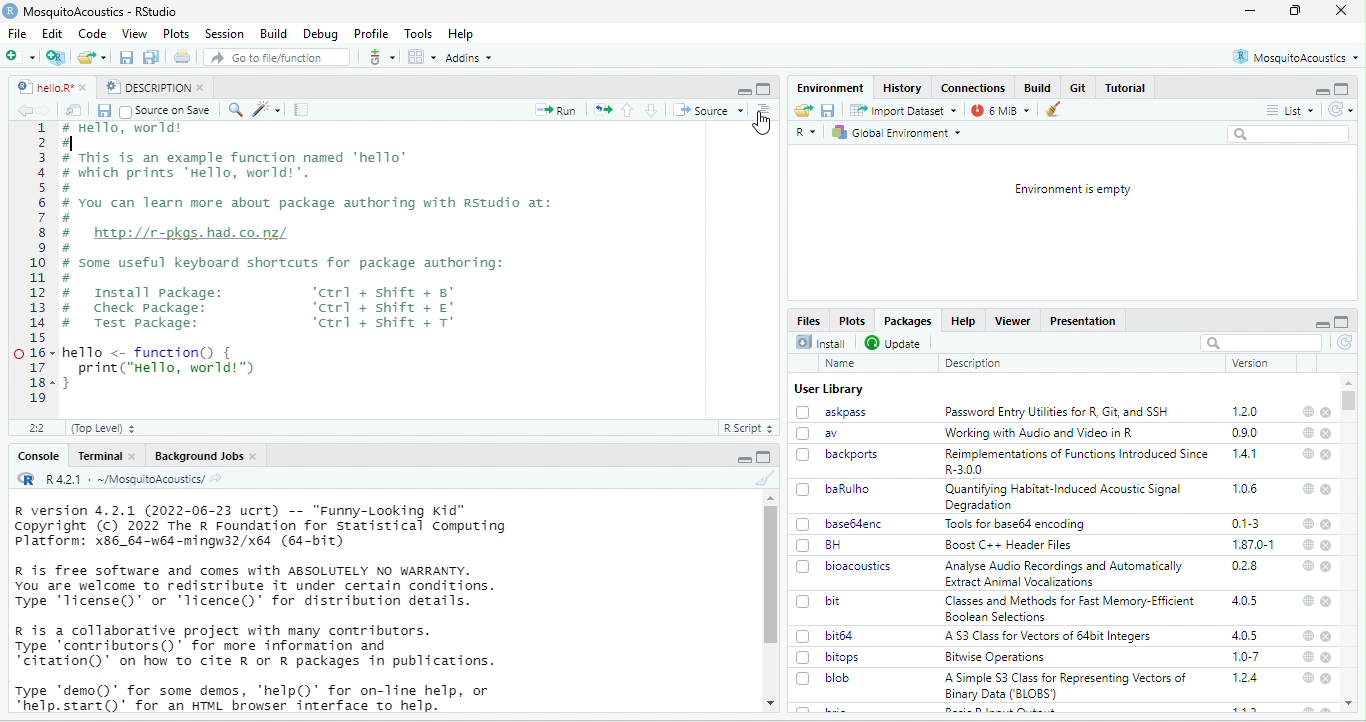  I want to click on Code, so click(93, 33).